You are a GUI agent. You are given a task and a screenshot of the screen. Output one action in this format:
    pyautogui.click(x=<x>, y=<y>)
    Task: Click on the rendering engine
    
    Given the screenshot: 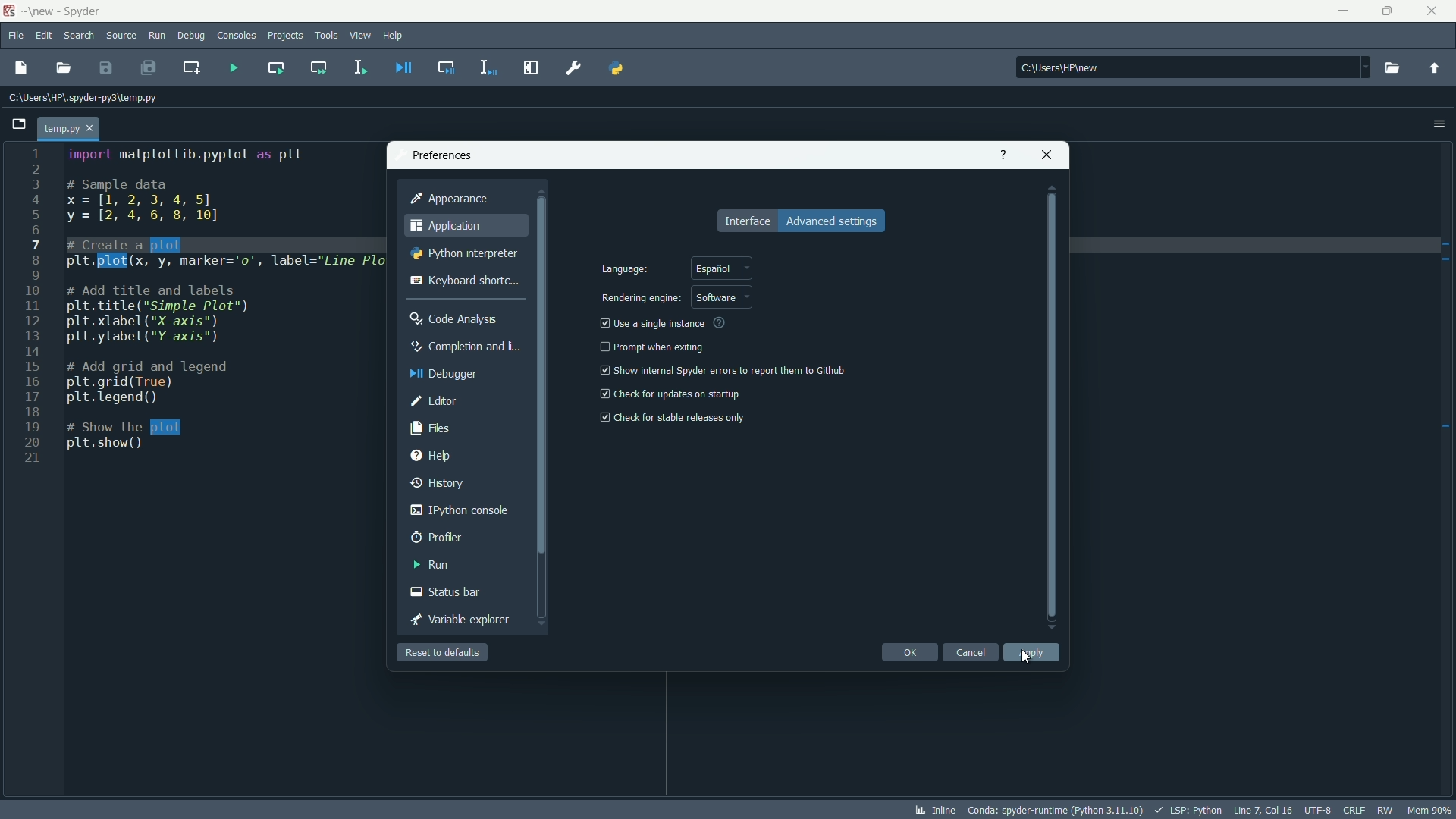 What is the action you would take?
    pyautogui.click(x=639, y=298)
    